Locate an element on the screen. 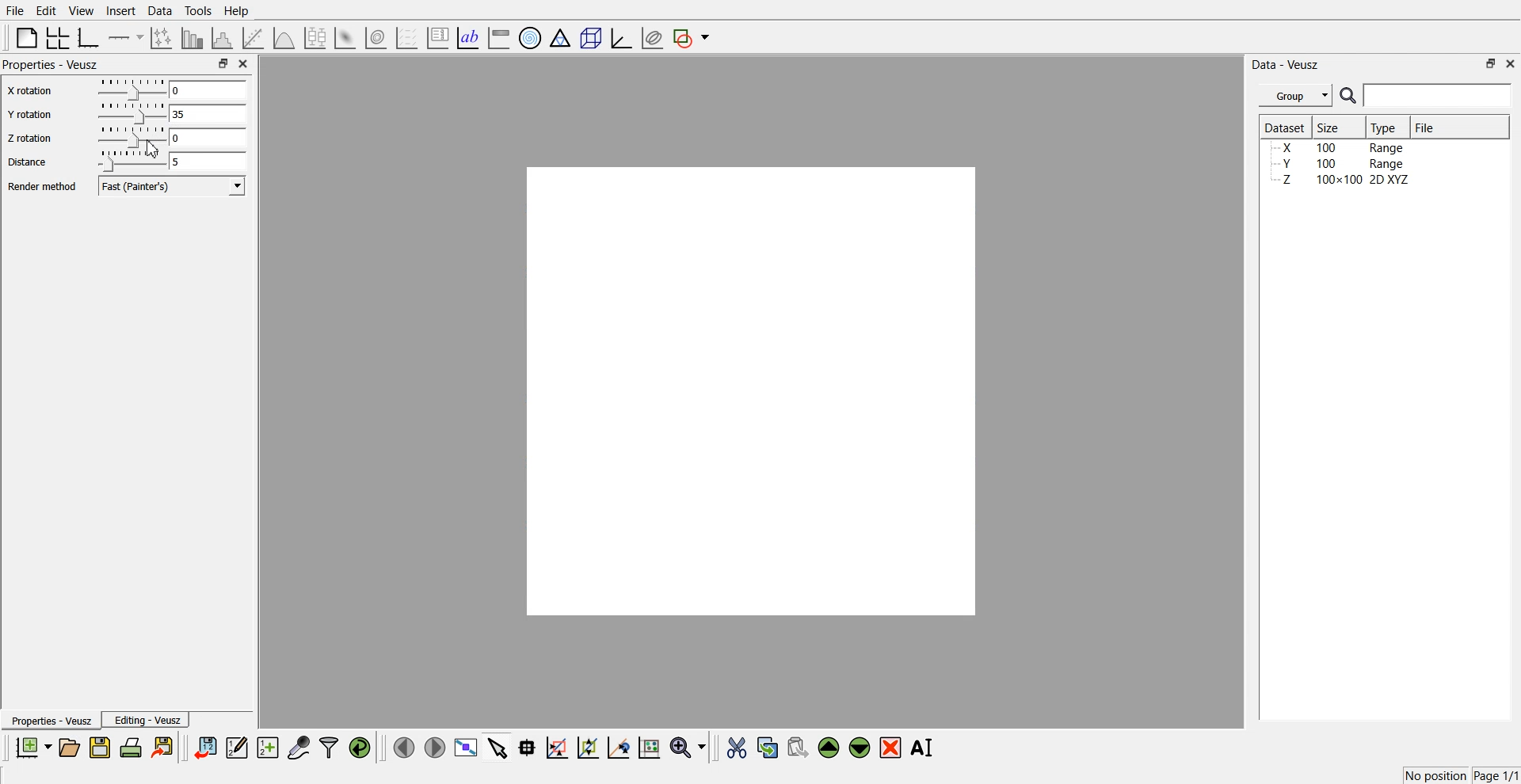 Image resolution: width=1521 pixels, height=784 pixels. Z 100x100 2D XYZ is located at coordinates (1343, 180).